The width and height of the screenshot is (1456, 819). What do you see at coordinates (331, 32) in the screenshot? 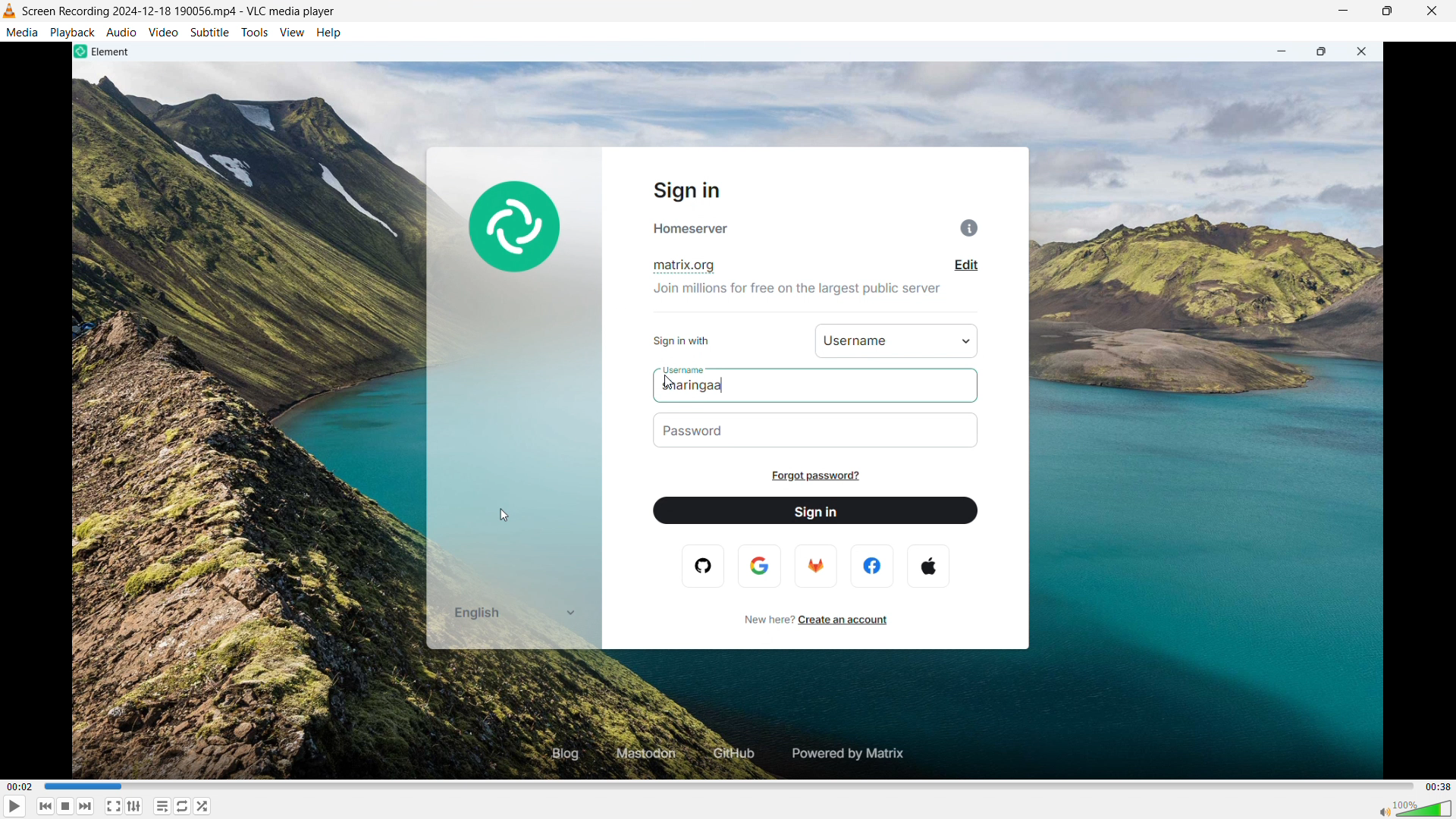
I see `help` at bounding box center [331, 32].